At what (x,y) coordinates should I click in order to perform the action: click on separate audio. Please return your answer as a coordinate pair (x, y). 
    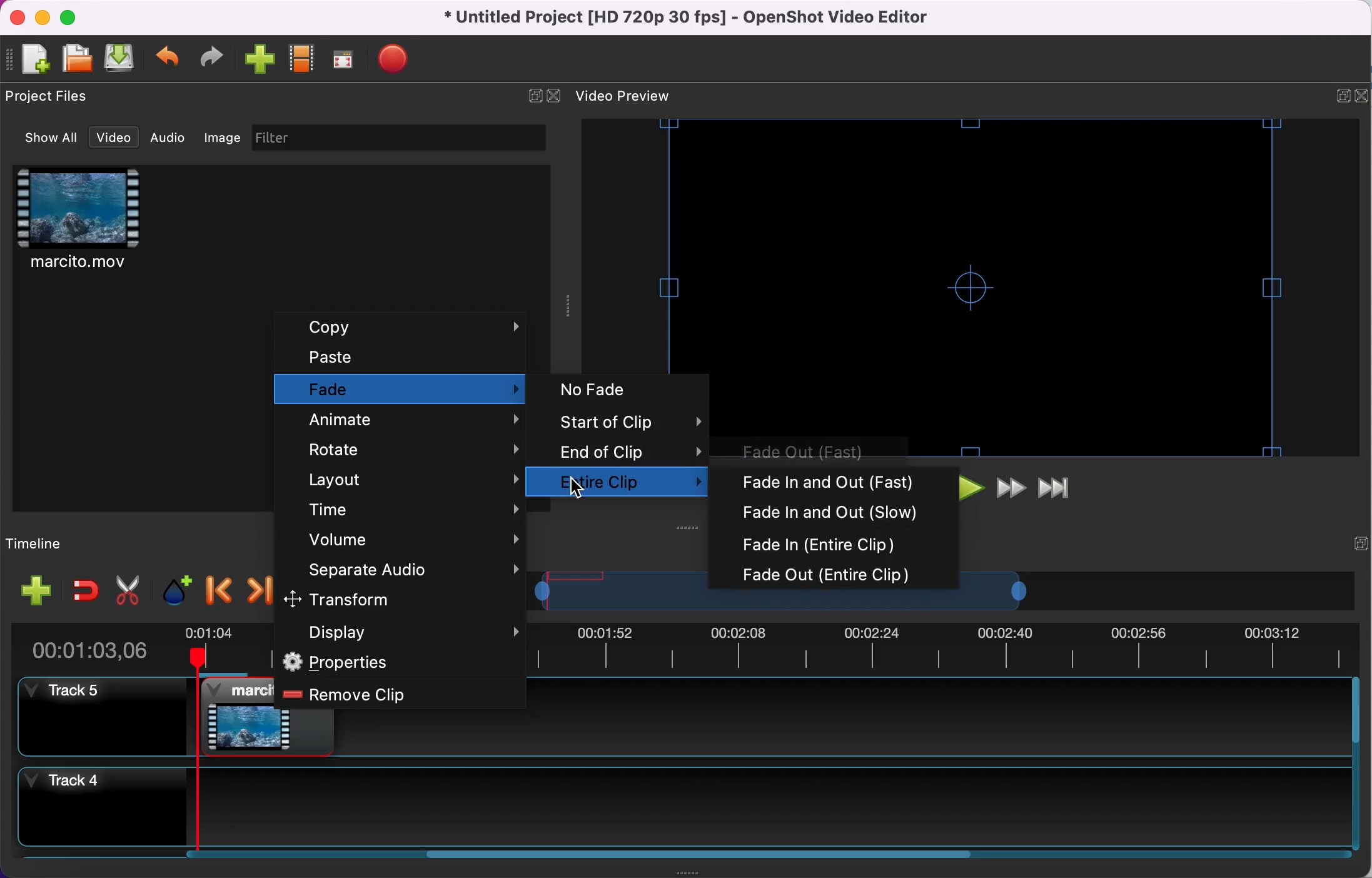
    Looking at the image, I should click on (408, 572).